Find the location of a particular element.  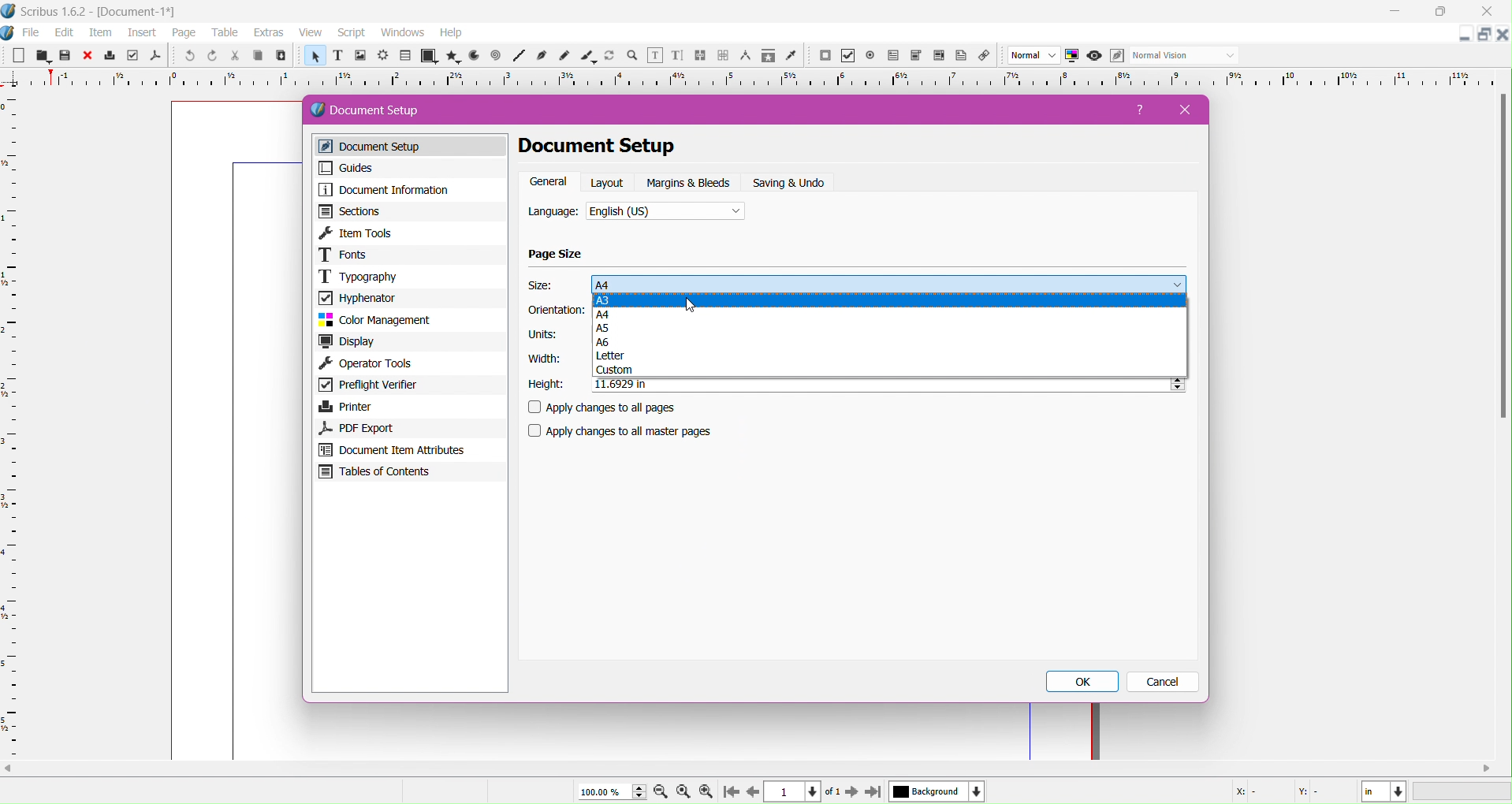

pdf checkbox is located at coordinates (892, 56).